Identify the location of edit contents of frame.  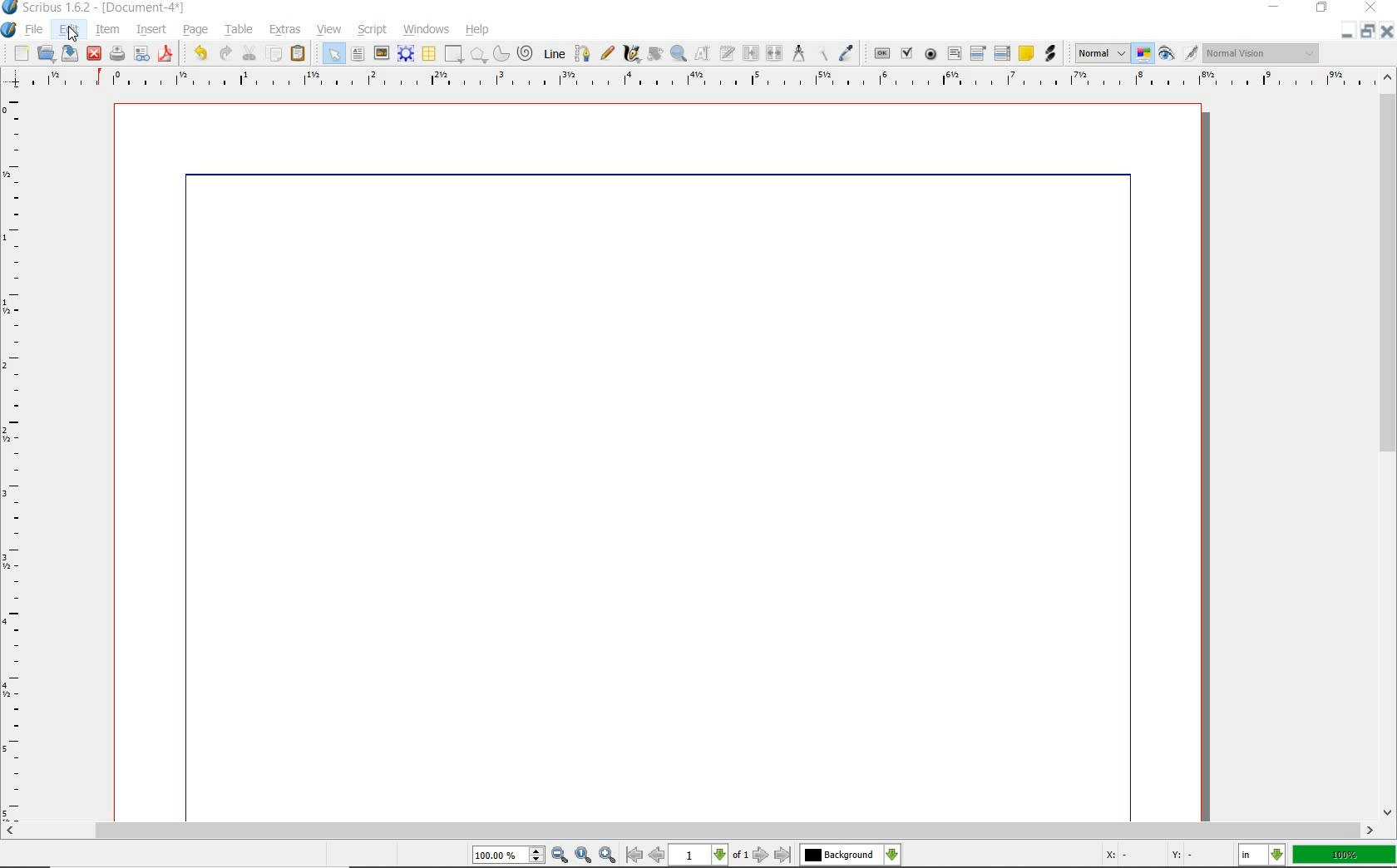
(704, 55).